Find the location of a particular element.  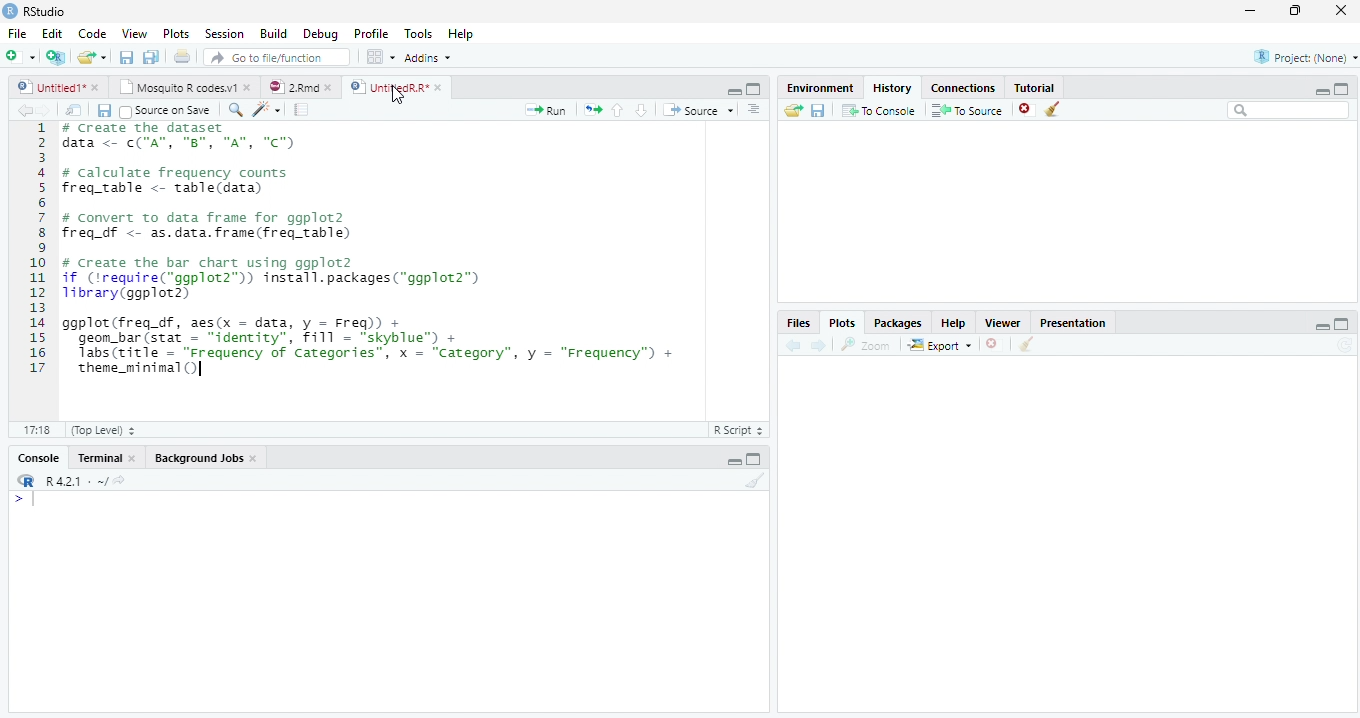

Code is located at coordinates (96, 34).